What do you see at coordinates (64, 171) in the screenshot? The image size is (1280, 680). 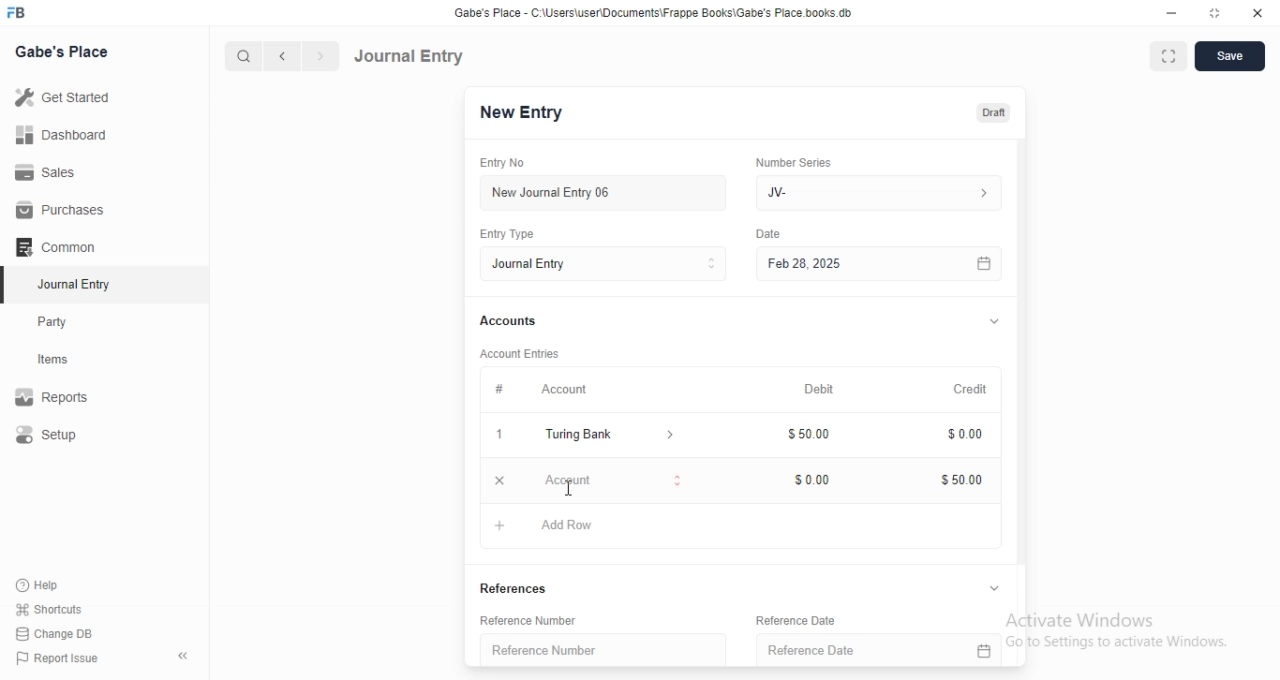 I see `Sales` at bounding box center [64, 171].